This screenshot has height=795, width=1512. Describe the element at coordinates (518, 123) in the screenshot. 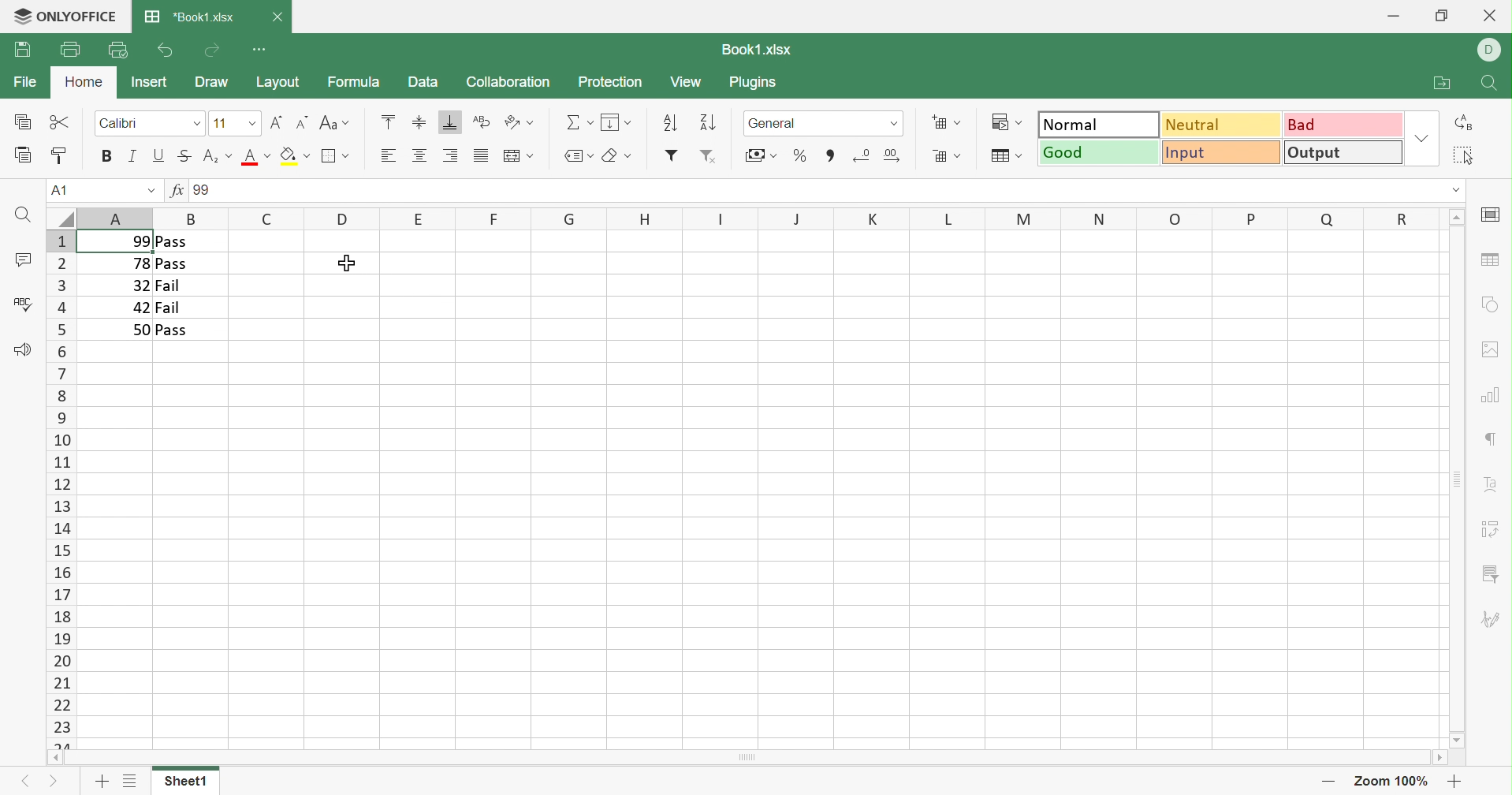

I see `Orientation` at that location.